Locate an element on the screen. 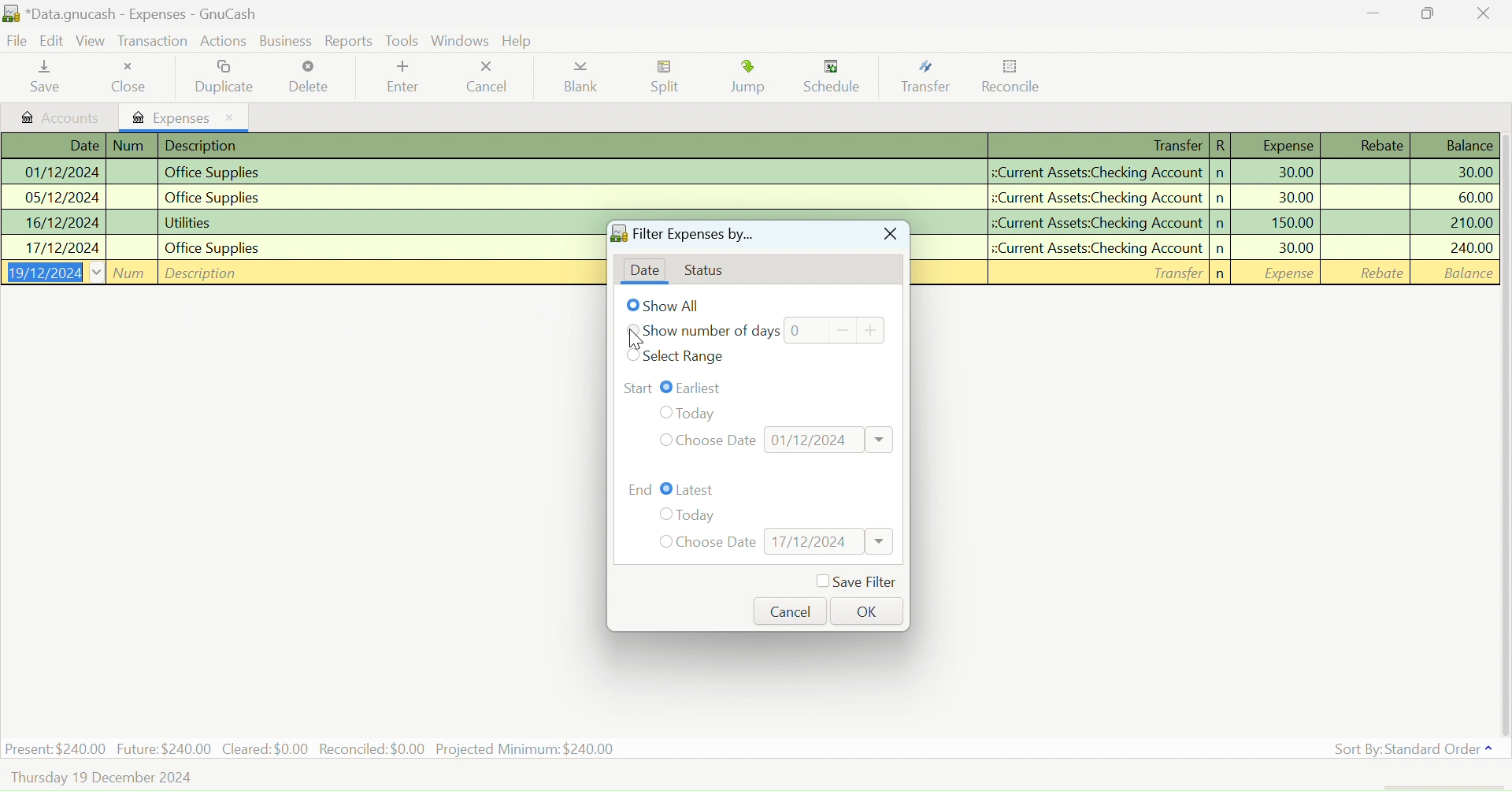 This screenshot has width=1512, height=791. Transfer is located at coordinates (931, 77).